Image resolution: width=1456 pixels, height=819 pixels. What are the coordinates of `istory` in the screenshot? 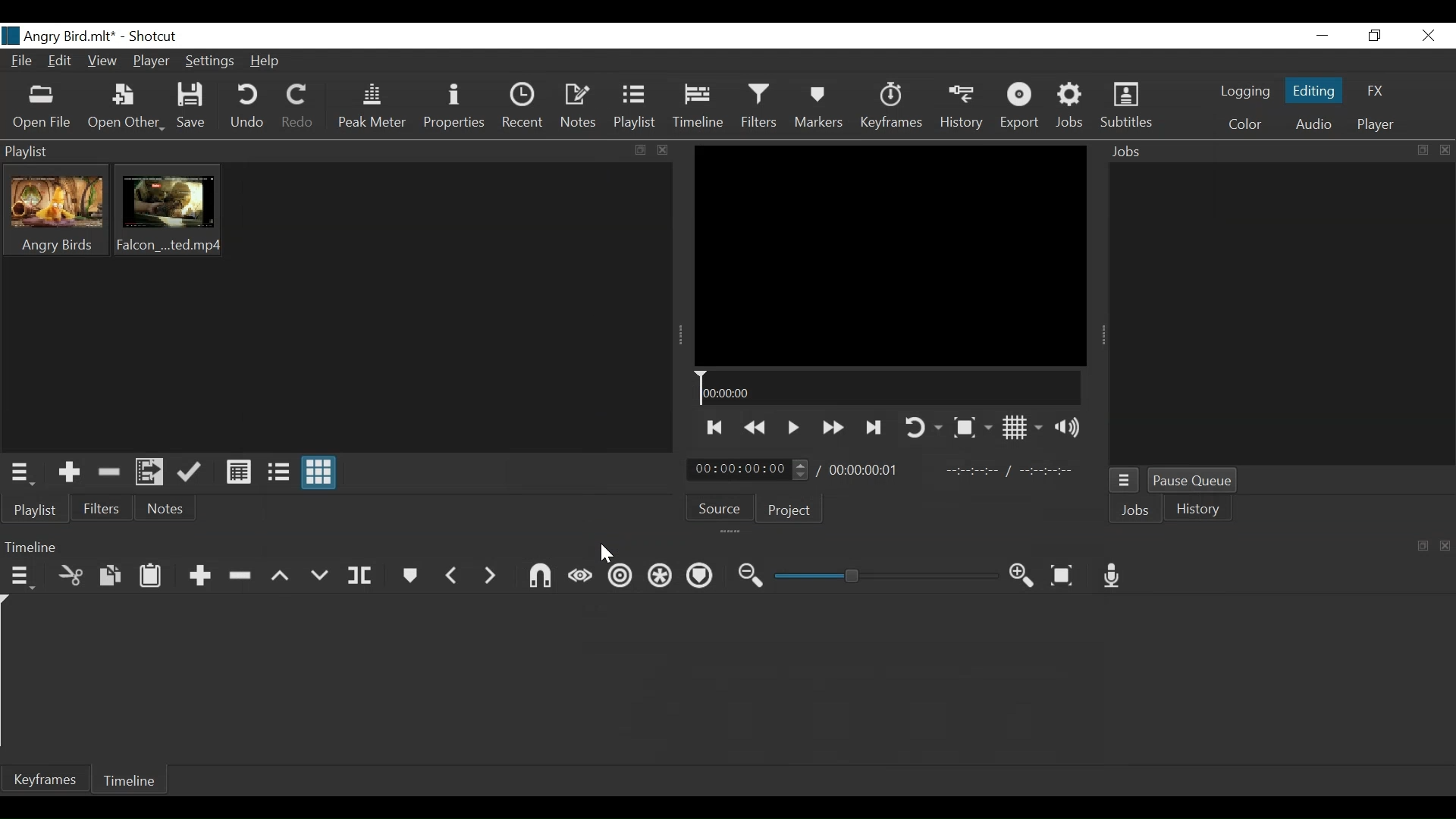 It's located at (1200, 510).